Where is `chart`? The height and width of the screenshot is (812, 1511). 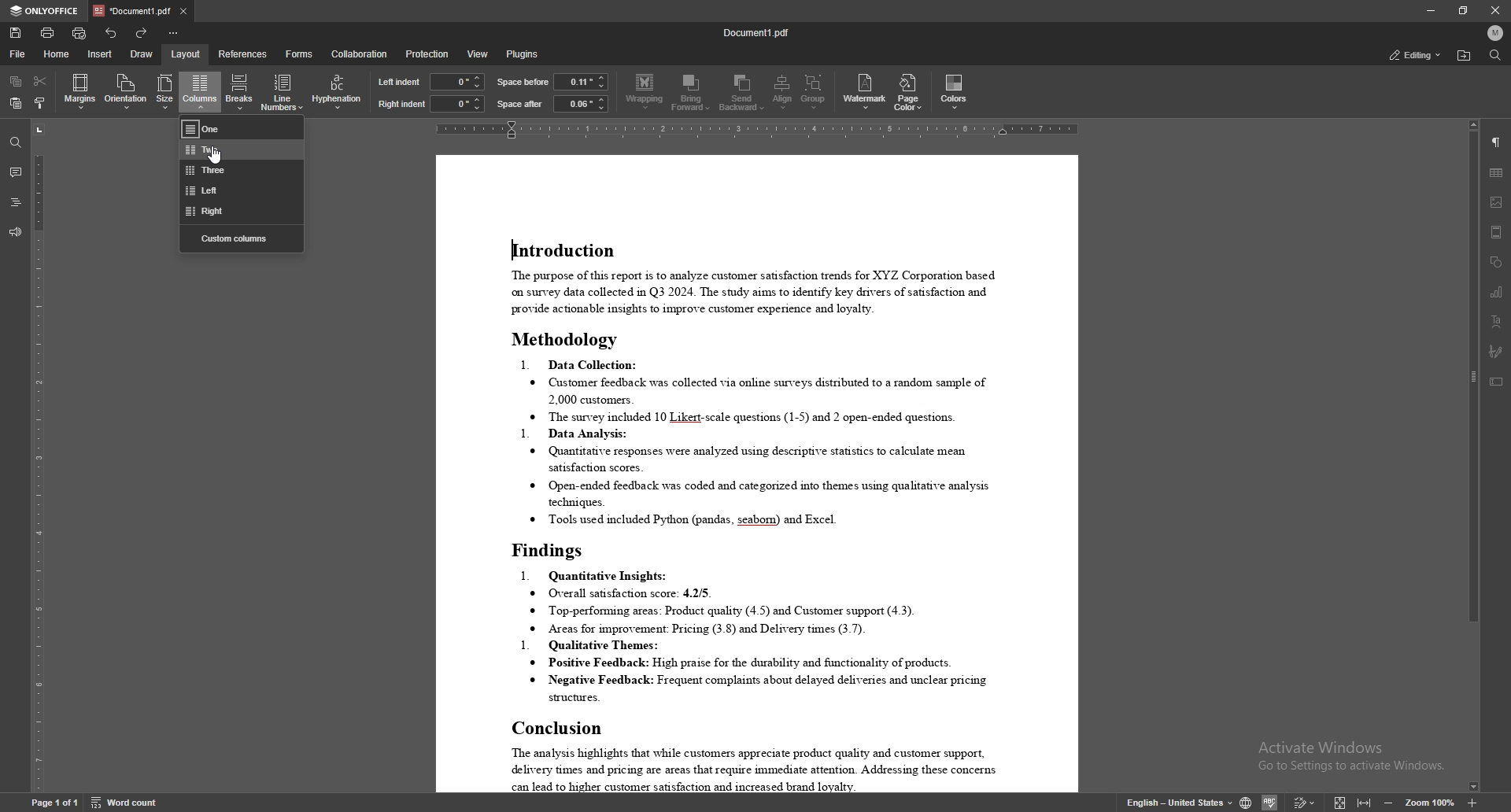 chart is located at coordinates (1497, 291).